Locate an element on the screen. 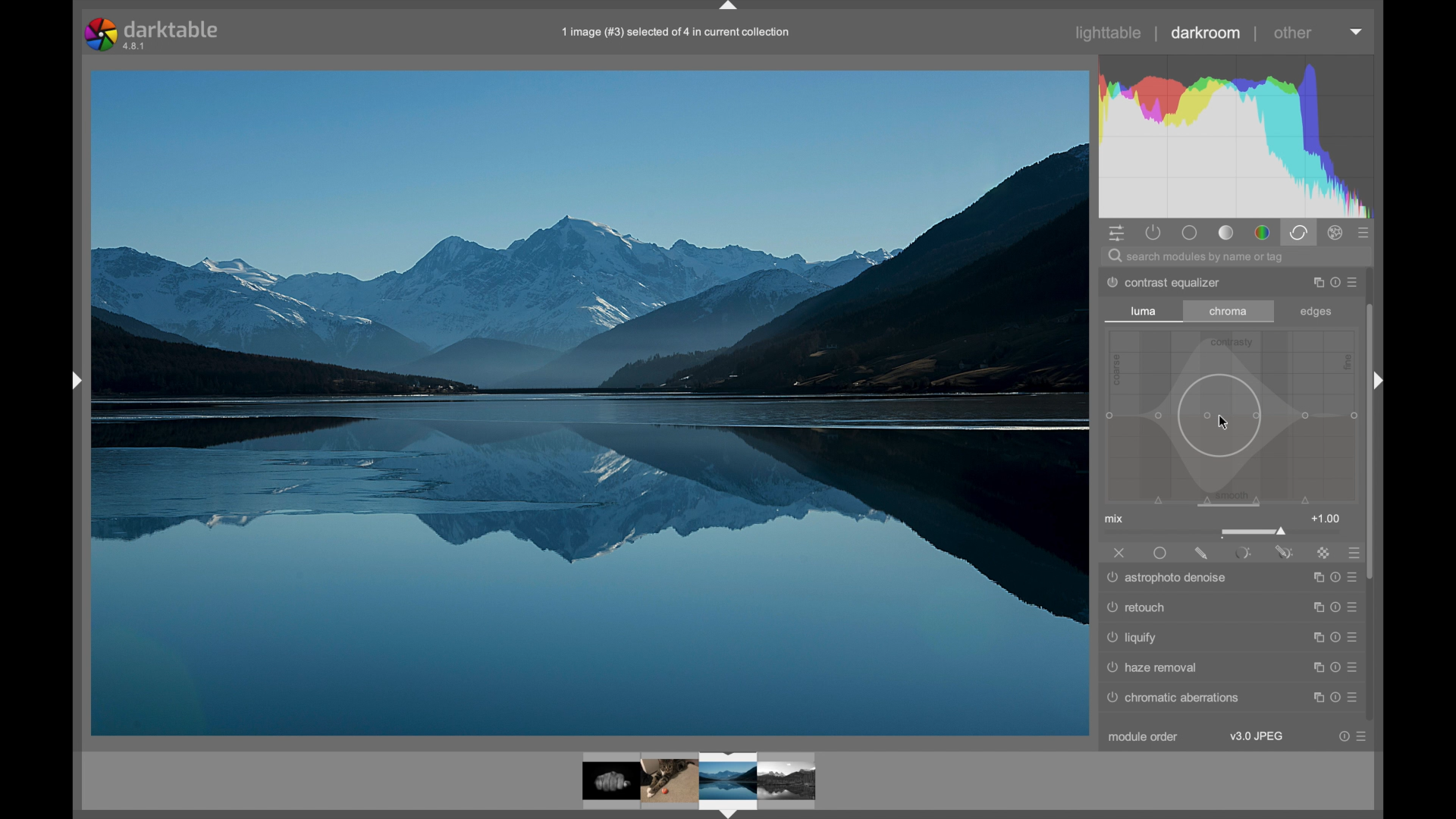 This screenshot has width=1456, height=819. cursor is located at coordinates (1225, 421).